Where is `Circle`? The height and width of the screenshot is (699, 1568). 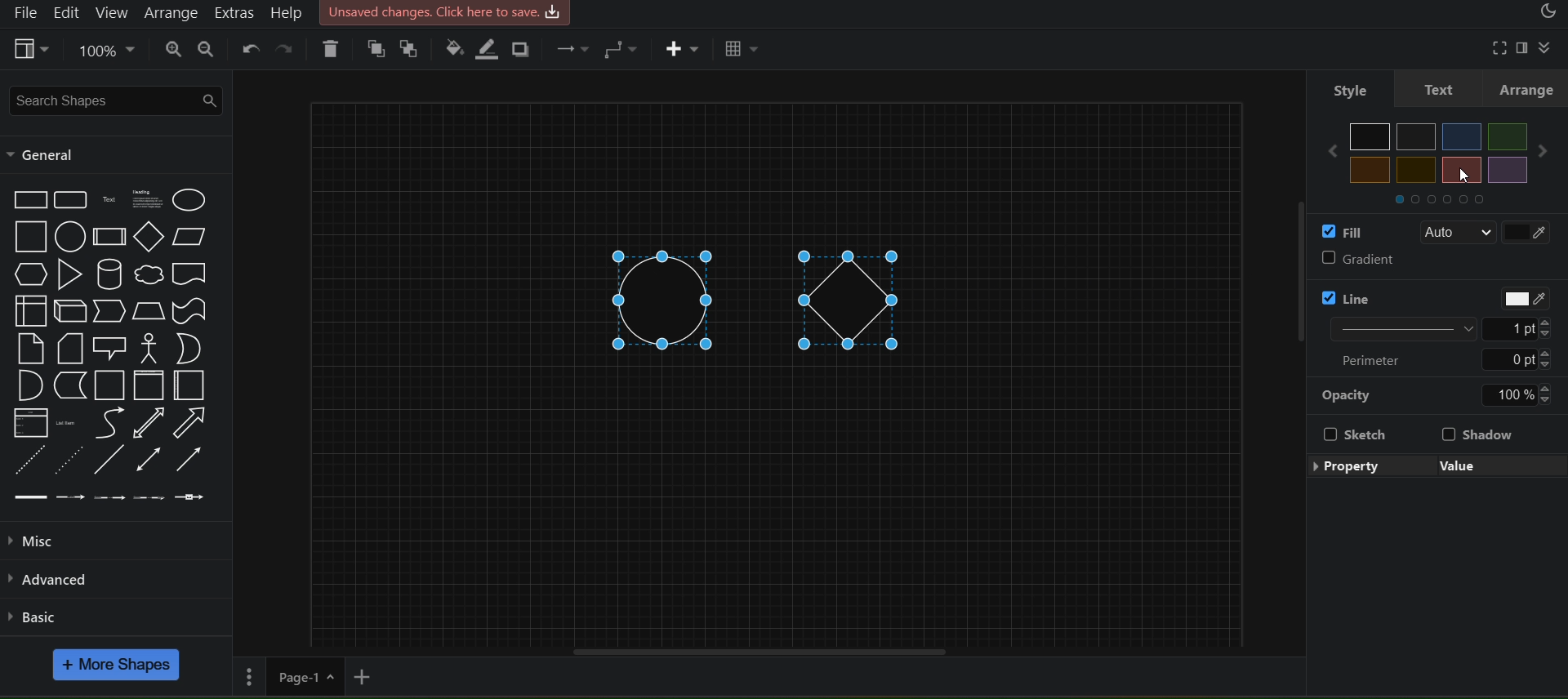
Circle is located at coordinates (70, 236).